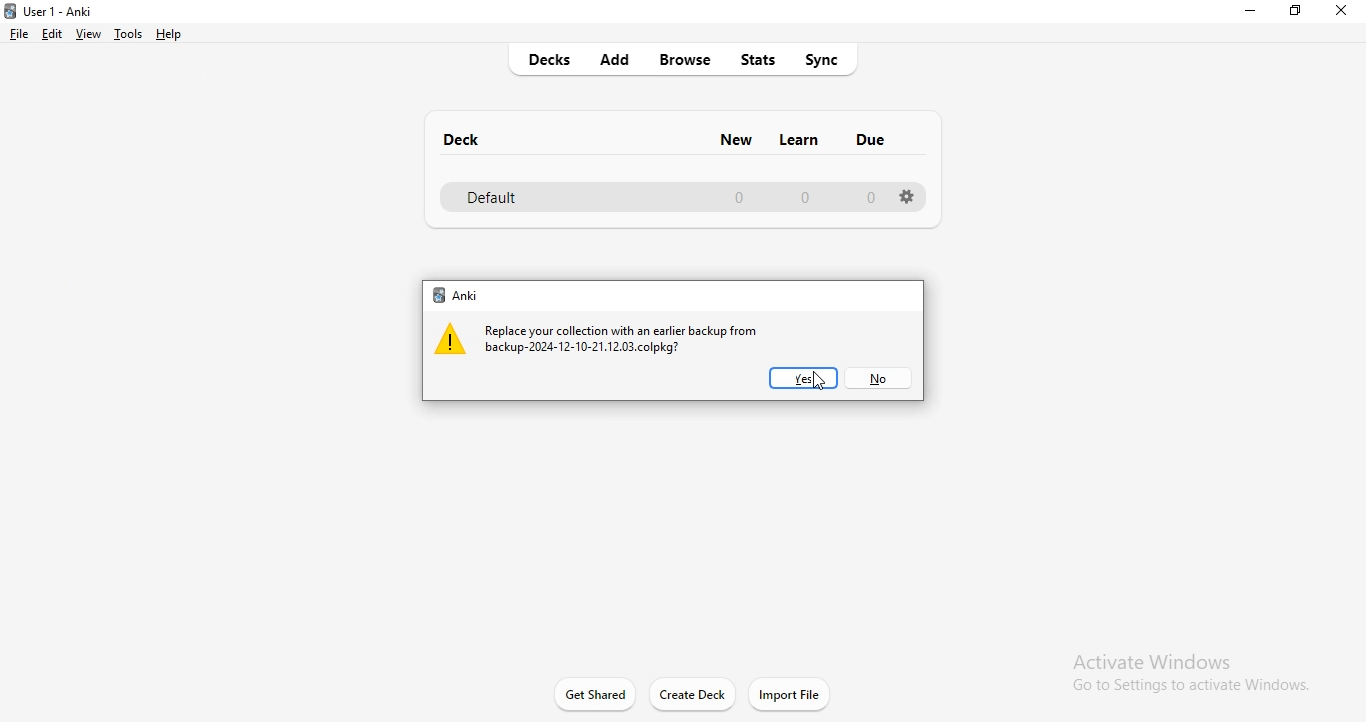  I want to click on stats, so click(762, 58).